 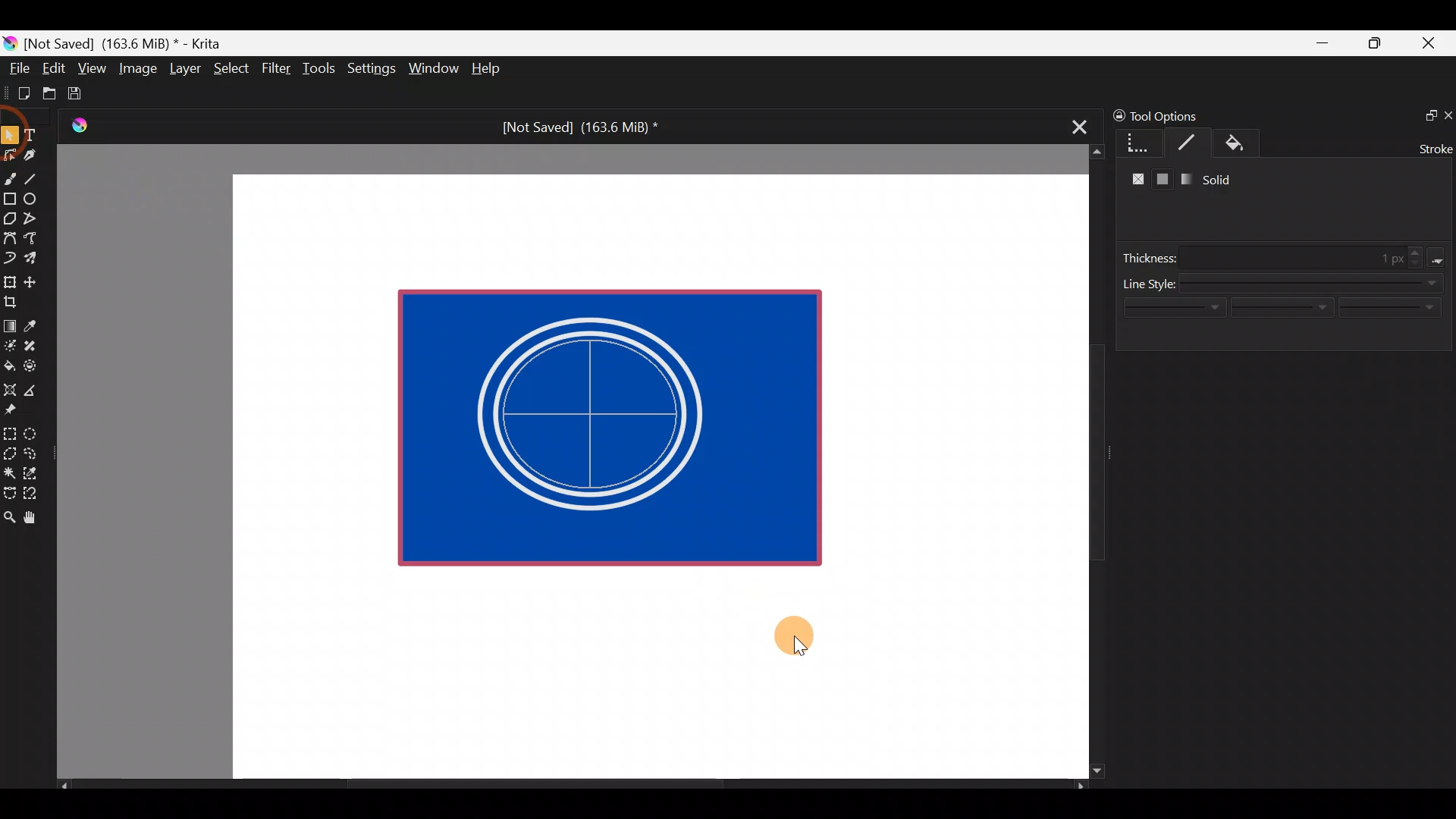 What do you see at coordinates (77, 125) in the screenshot?
I see `Krita Logo` at bounding box center [77, 125].